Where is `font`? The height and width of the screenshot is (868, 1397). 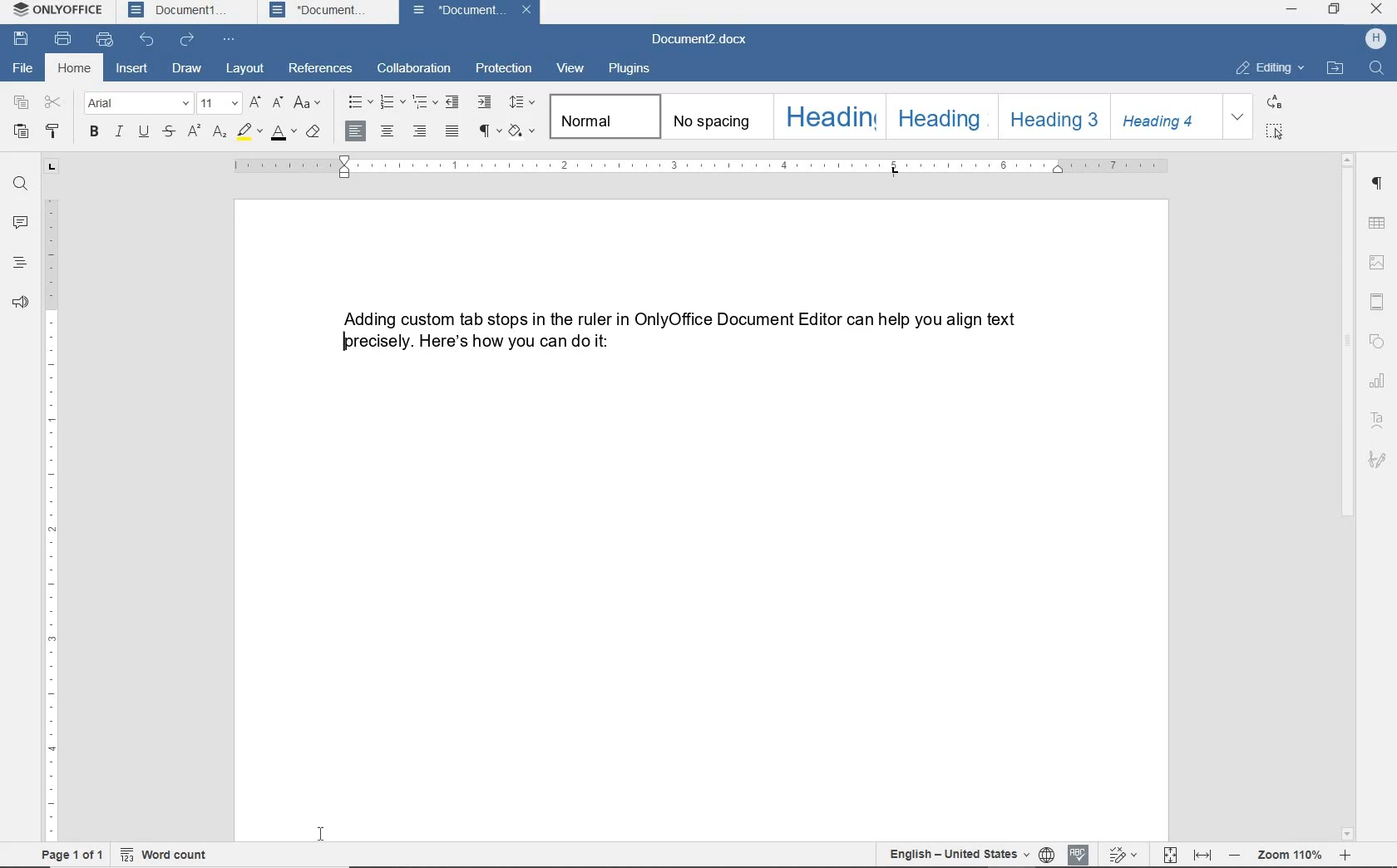
font is located at coordinates (138, 103).